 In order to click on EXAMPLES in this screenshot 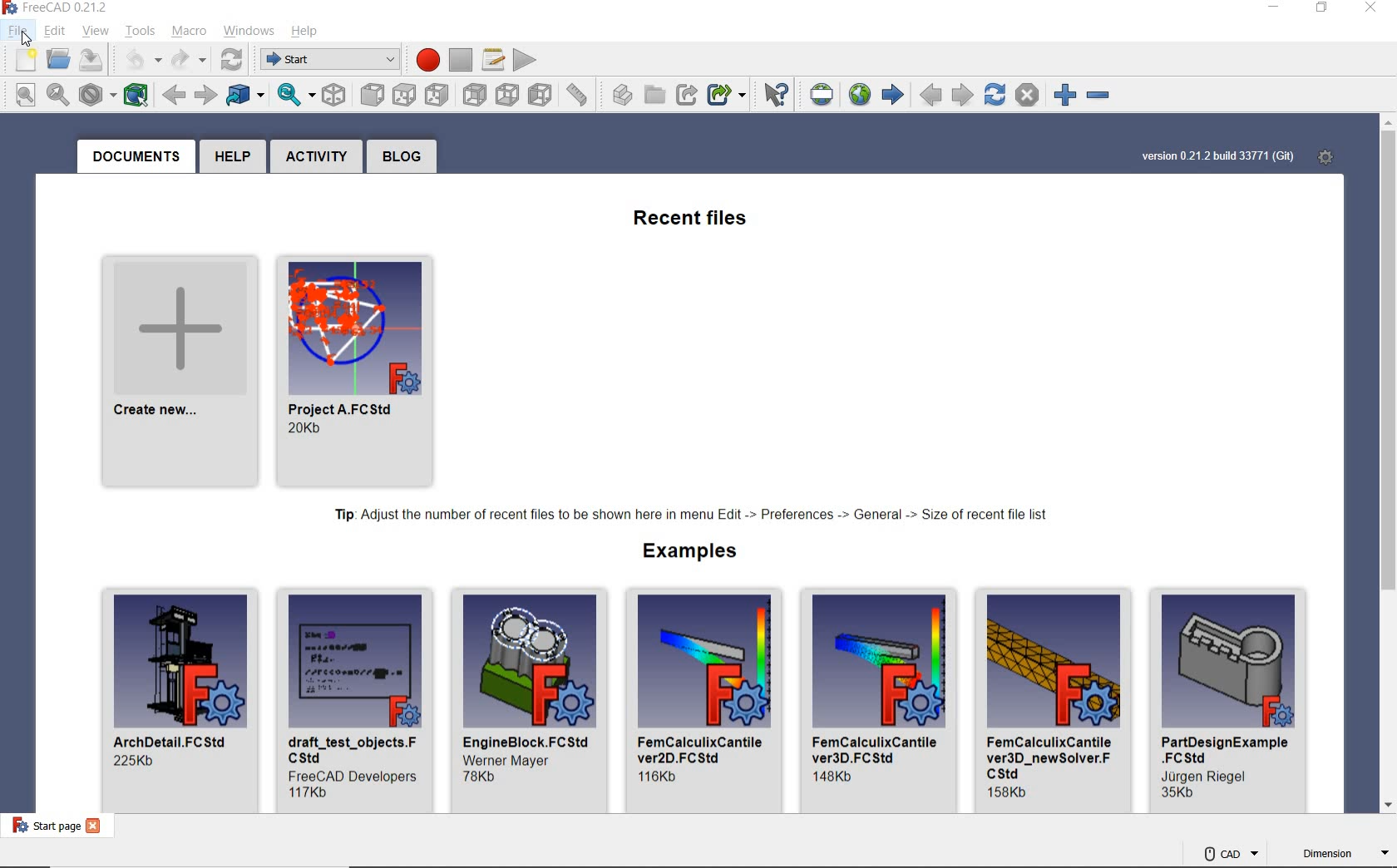, I will do `click(693, 552)`.